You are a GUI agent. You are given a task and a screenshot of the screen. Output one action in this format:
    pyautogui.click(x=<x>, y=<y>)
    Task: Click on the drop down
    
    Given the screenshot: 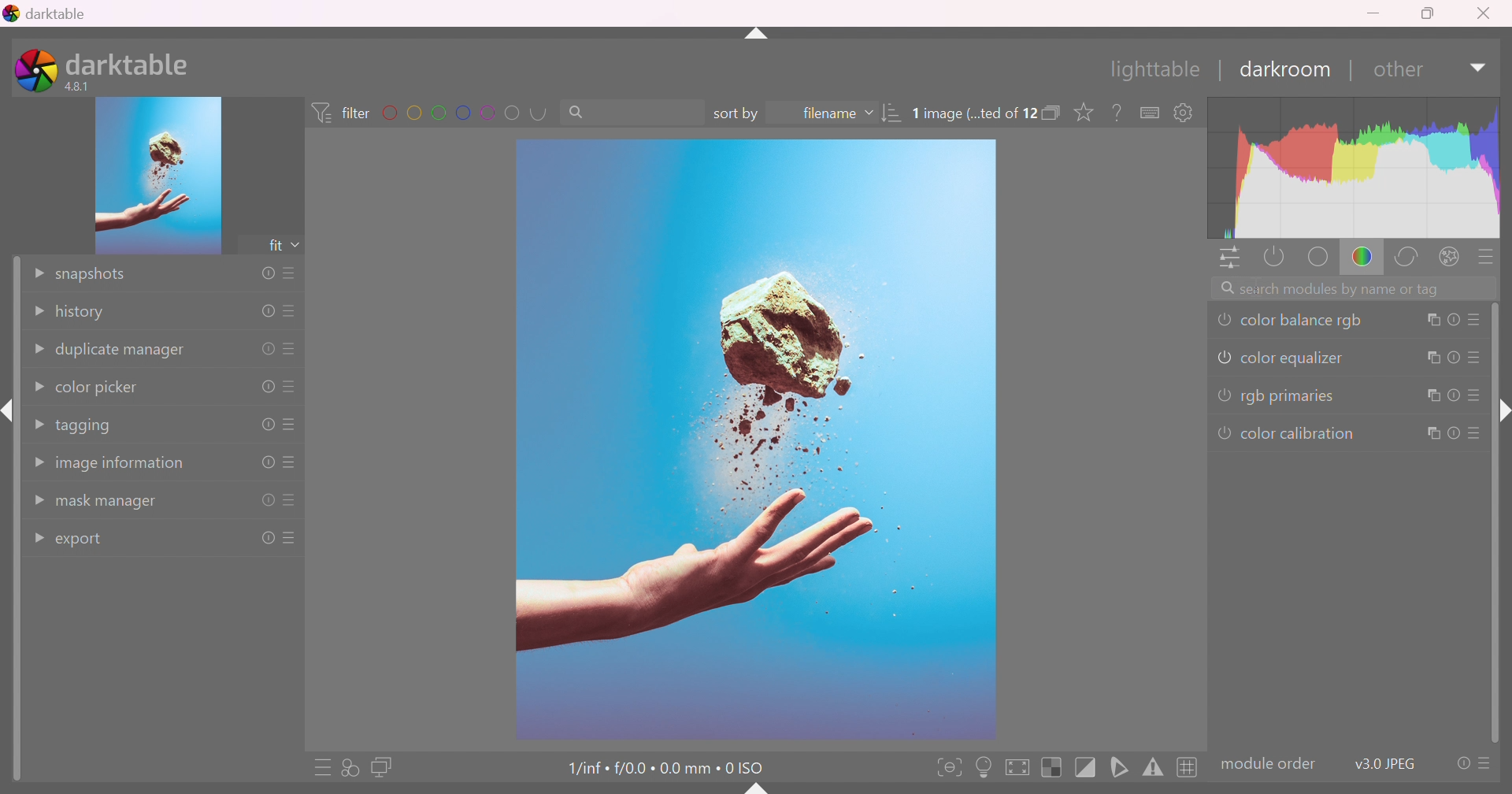 What is the action you would take?
    pyautogui.click(x=299, y=245)
    